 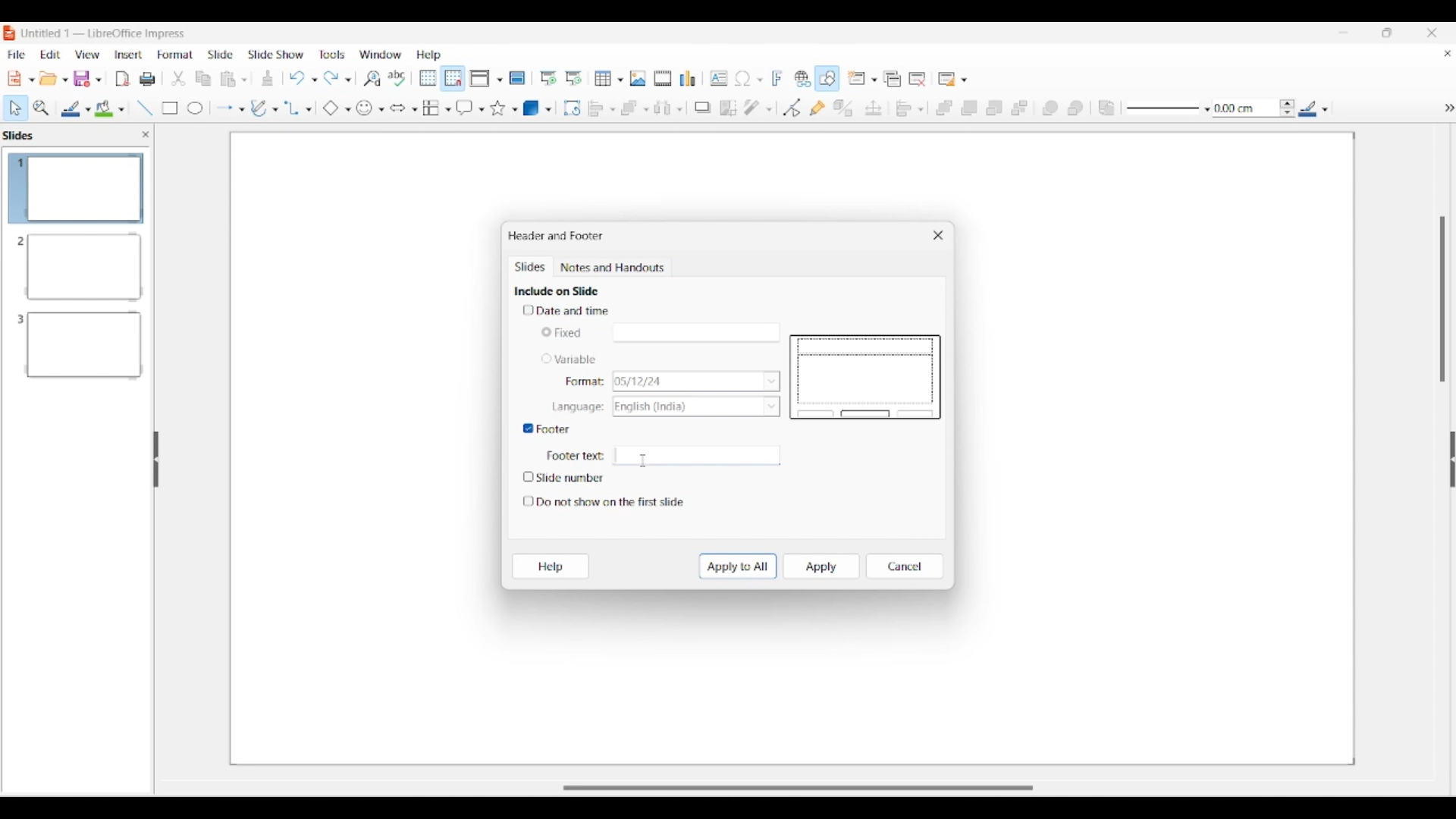 I want to click on Software logo, so click(x=10, y=33).